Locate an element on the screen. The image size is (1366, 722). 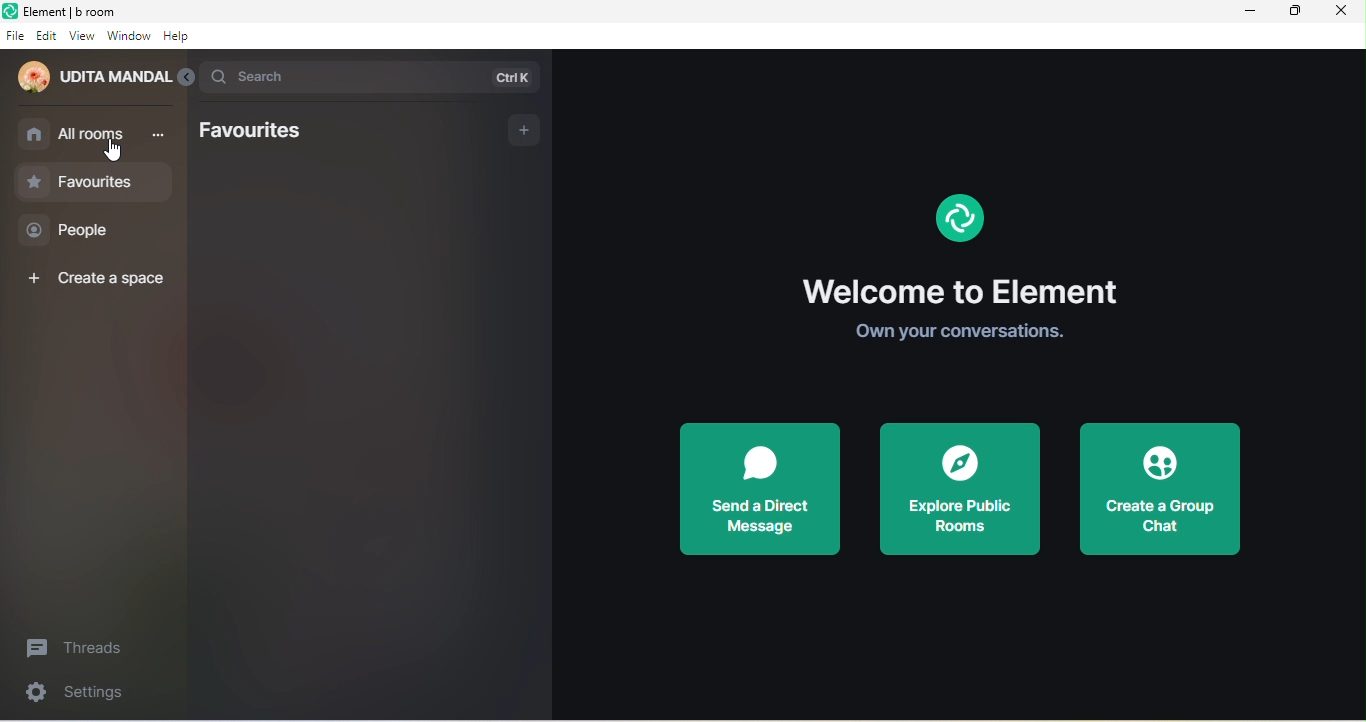
send a direct message is located at coordinates (756, 489).